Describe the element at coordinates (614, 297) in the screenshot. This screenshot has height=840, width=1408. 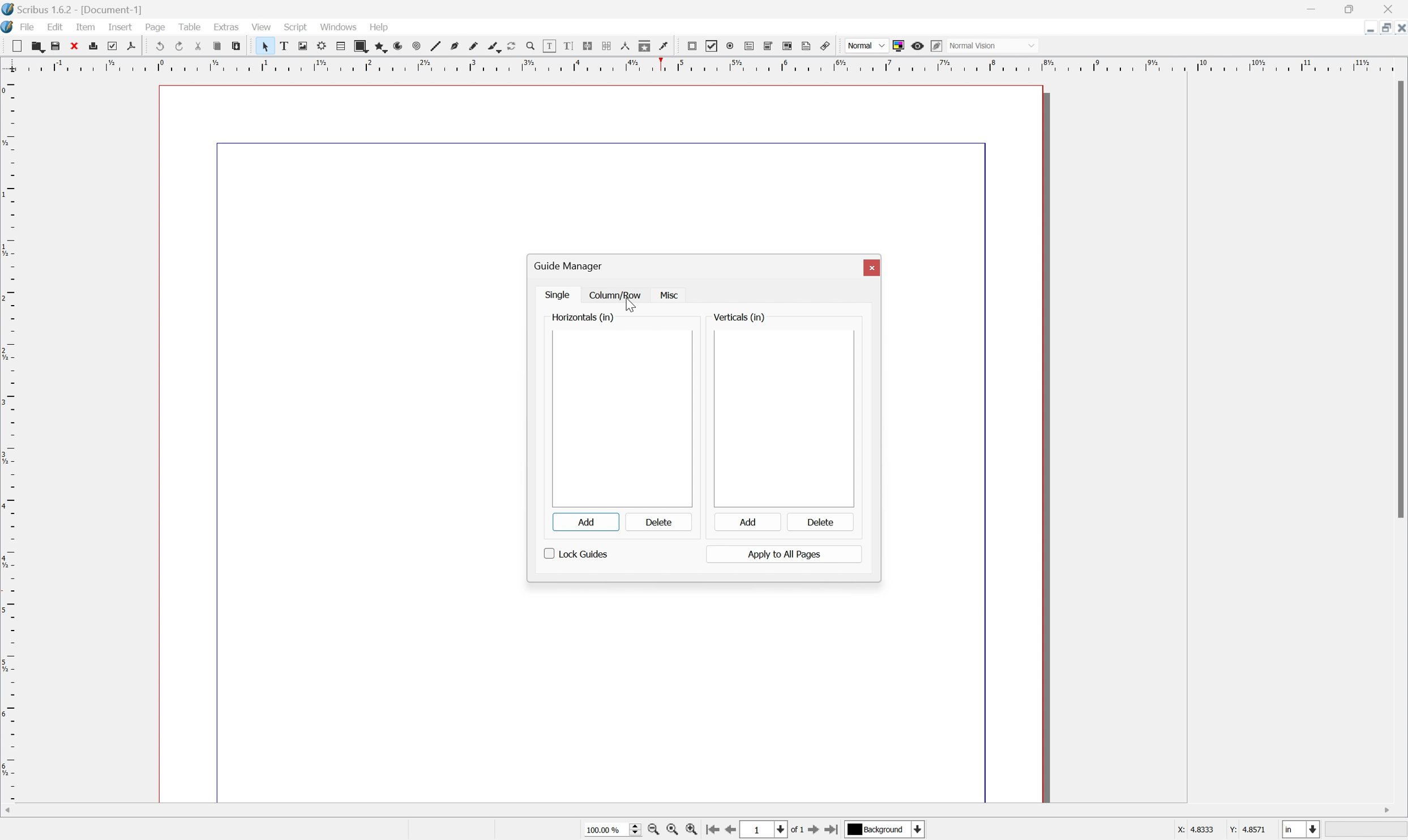
I see `column/row` at that location.